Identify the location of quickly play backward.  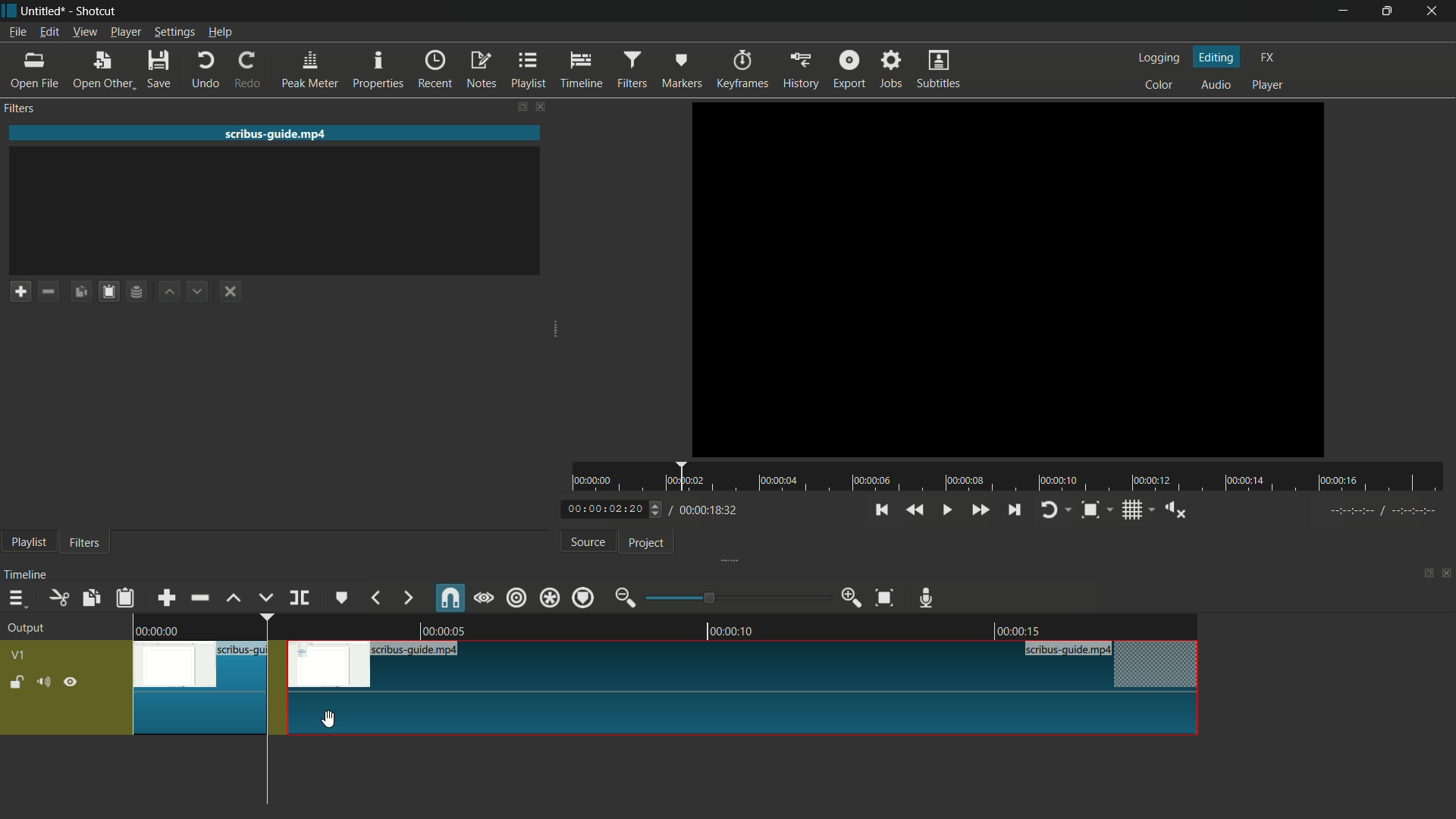
(918, 510).